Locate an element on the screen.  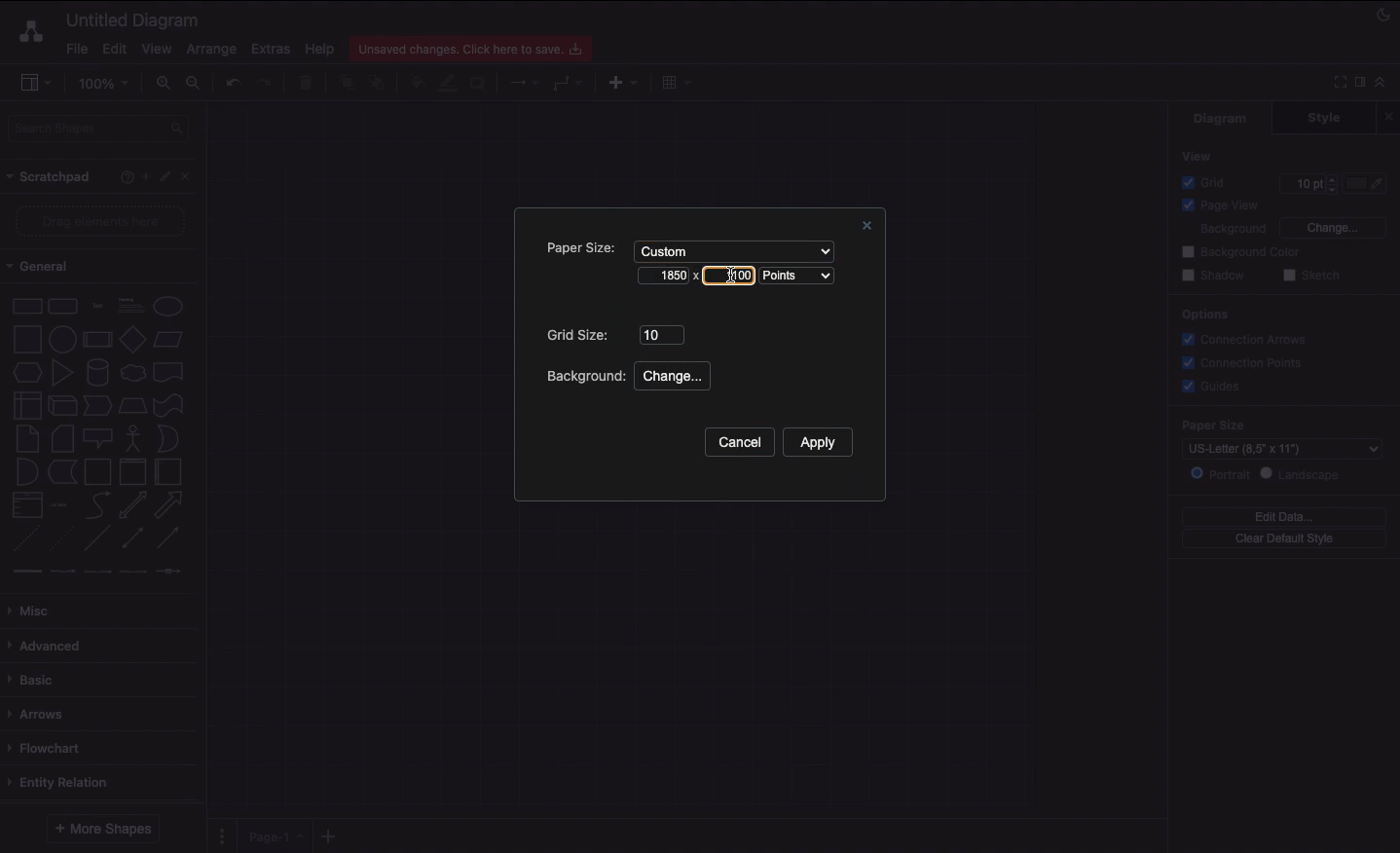
Square is located at coordinates (25, 339).